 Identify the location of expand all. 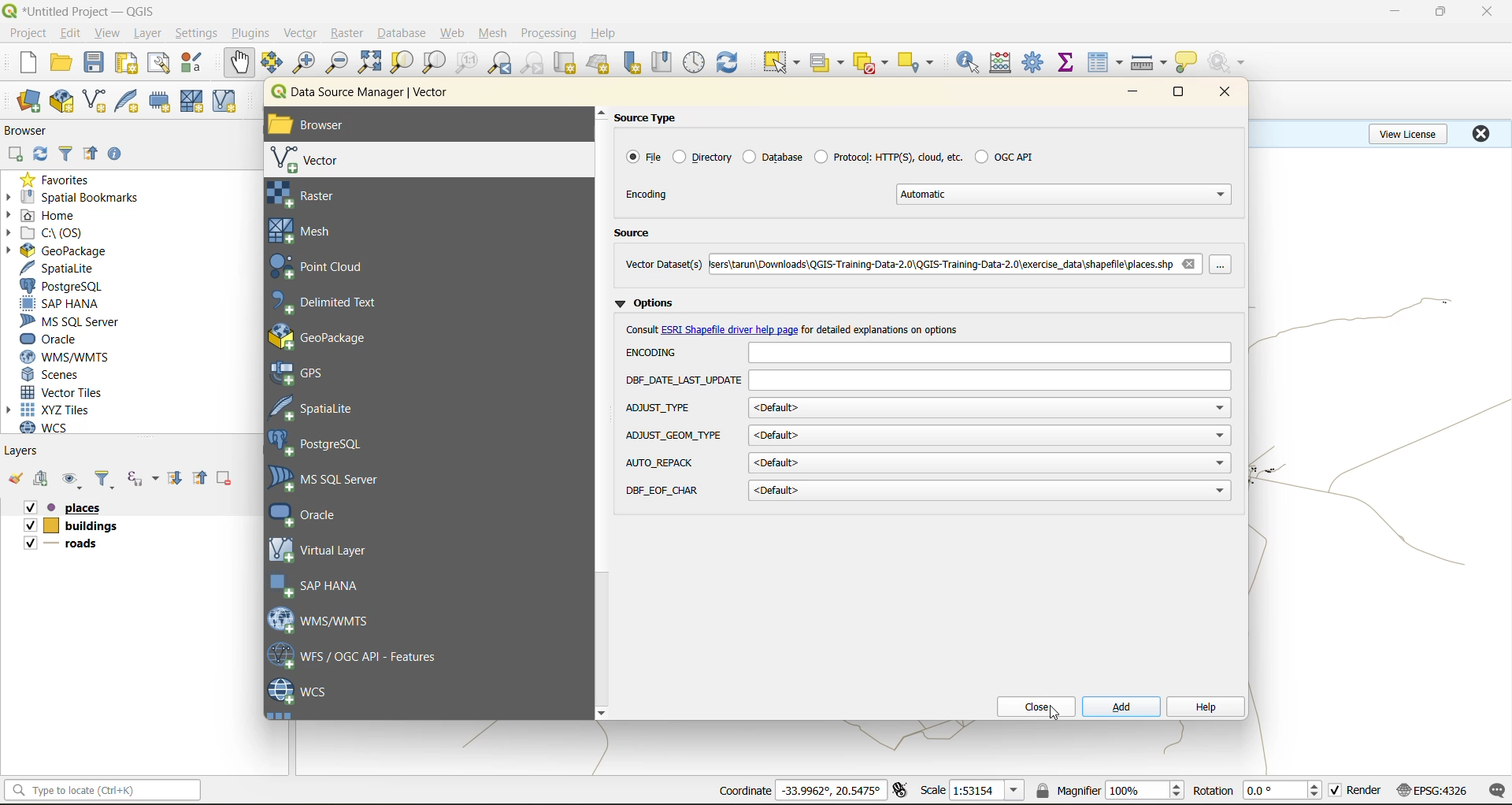
(175, 478).